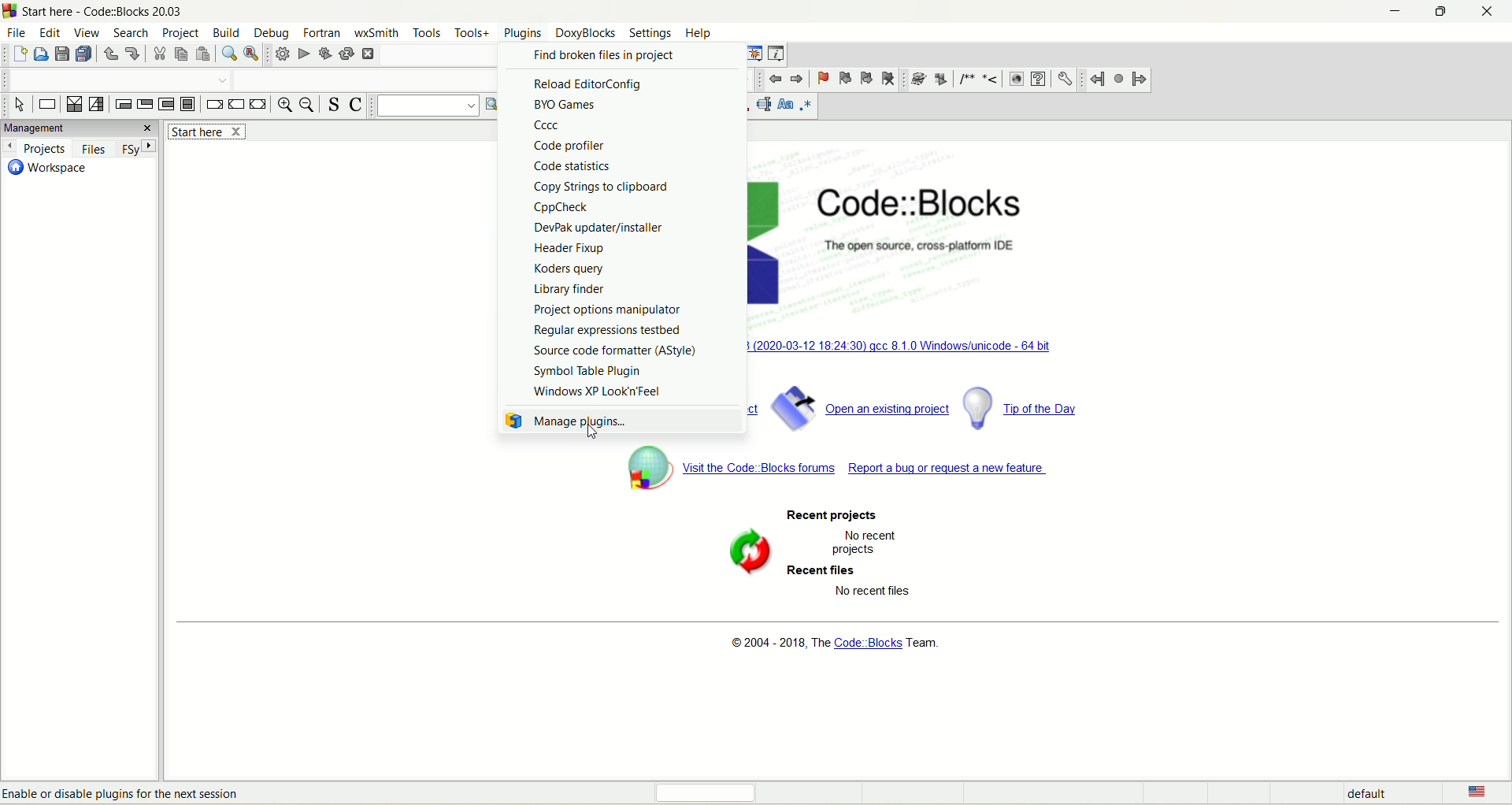 Image resolution: width=1512 pixels, height=805 pixels. I want to click on library finder, so click(569, 288).